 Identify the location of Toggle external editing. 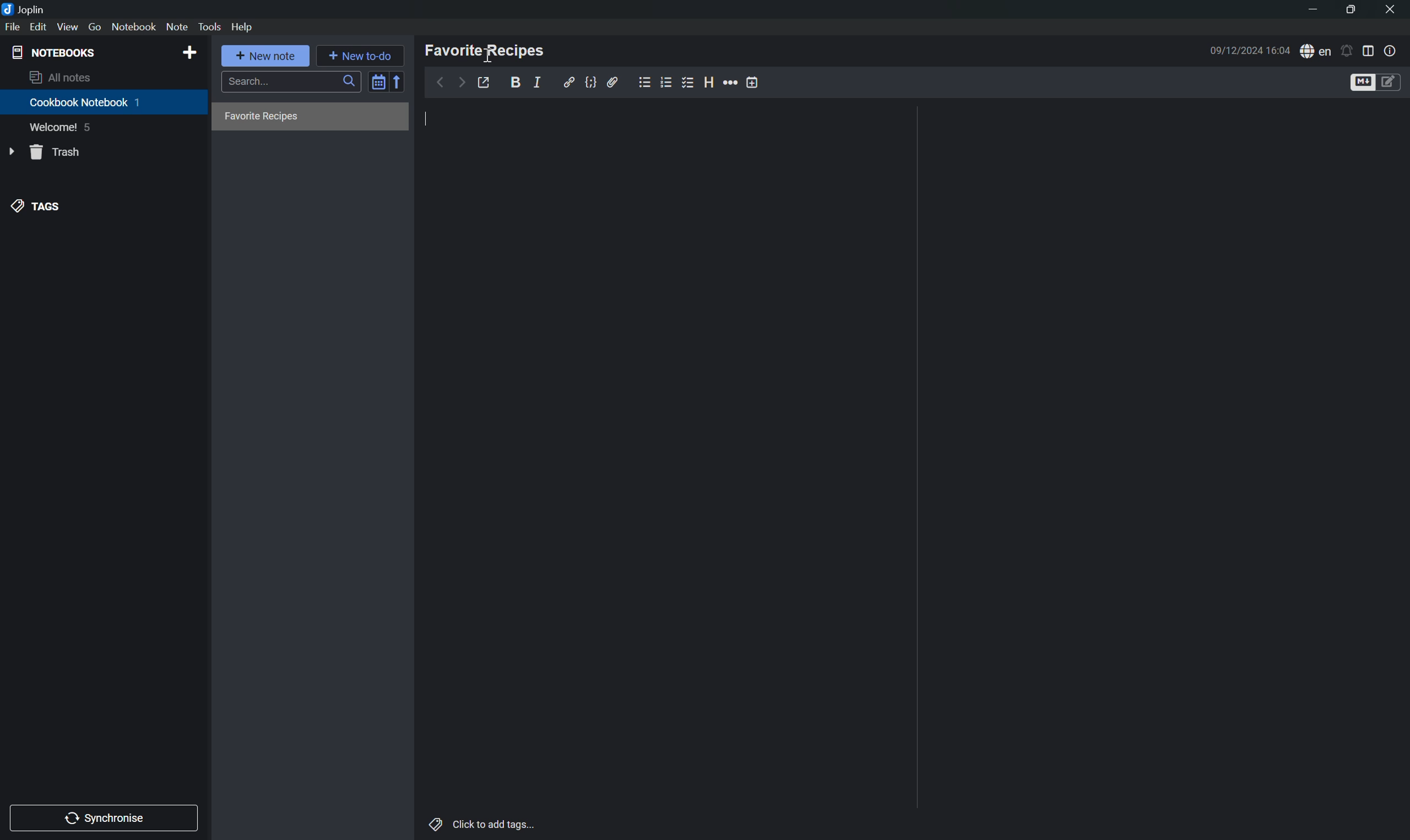
(486, 82).